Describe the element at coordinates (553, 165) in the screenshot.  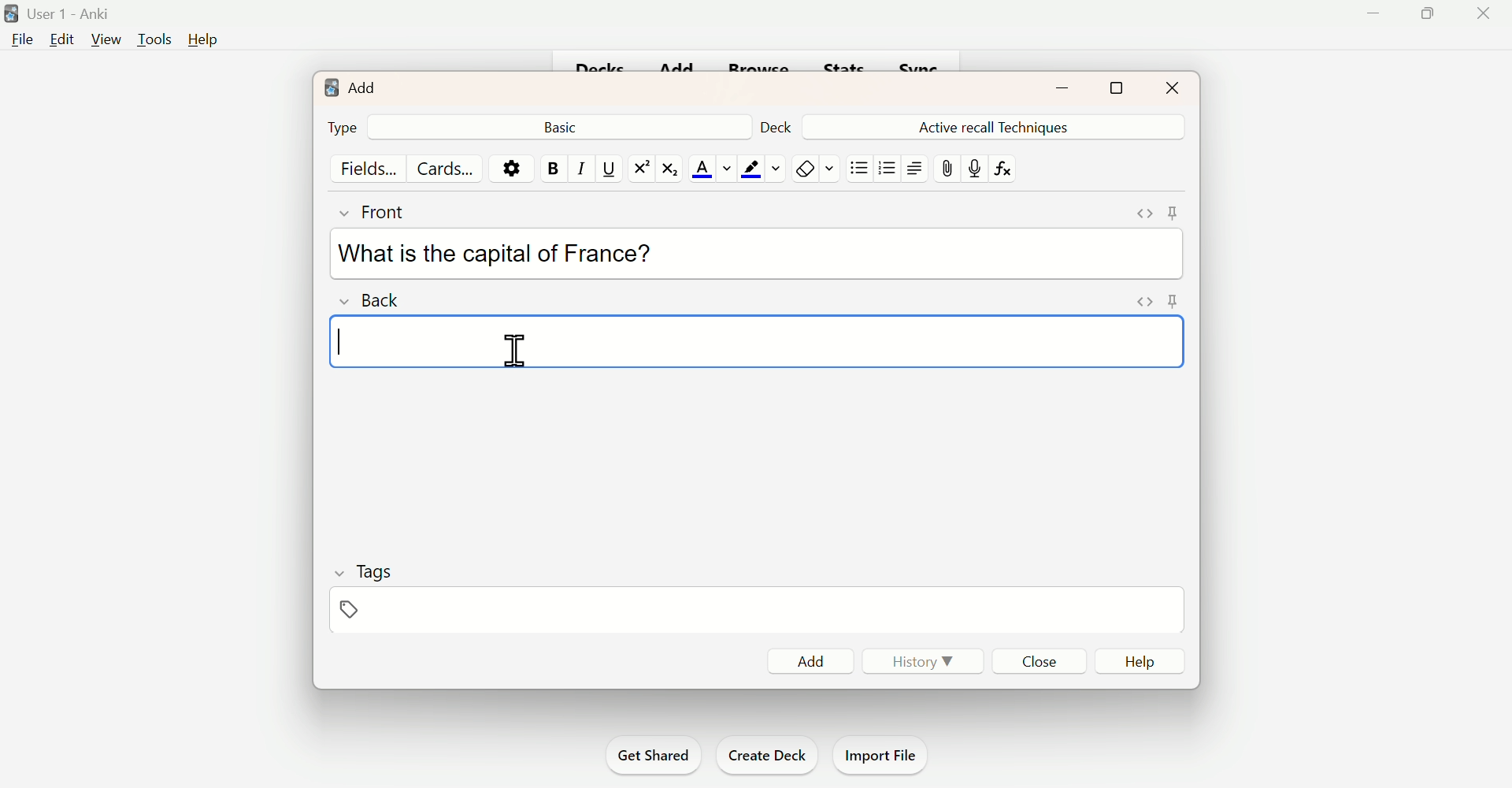
I see `Bold` at that location.